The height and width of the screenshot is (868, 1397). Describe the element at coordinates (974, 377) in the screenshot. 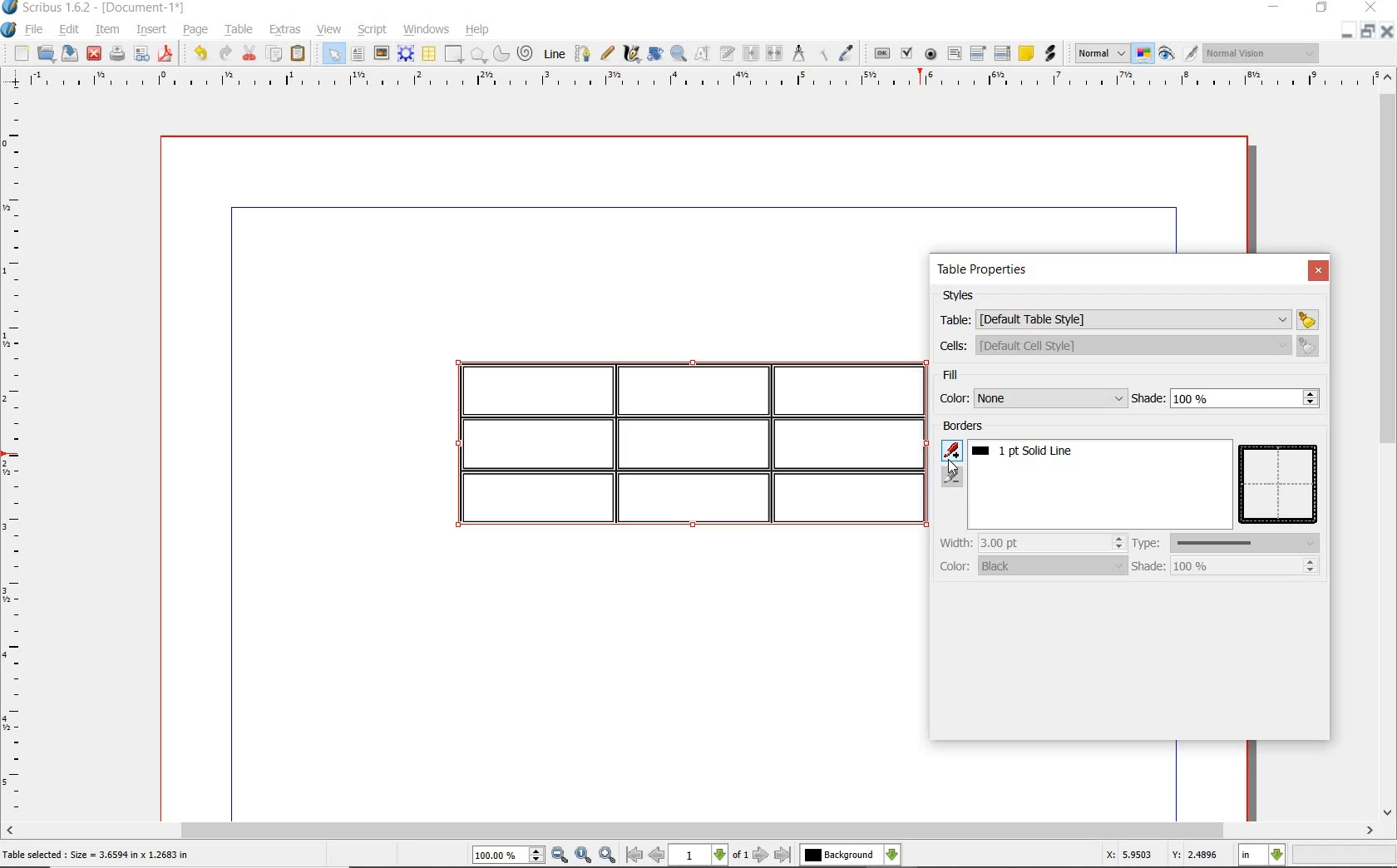

I see `fill` at that location.